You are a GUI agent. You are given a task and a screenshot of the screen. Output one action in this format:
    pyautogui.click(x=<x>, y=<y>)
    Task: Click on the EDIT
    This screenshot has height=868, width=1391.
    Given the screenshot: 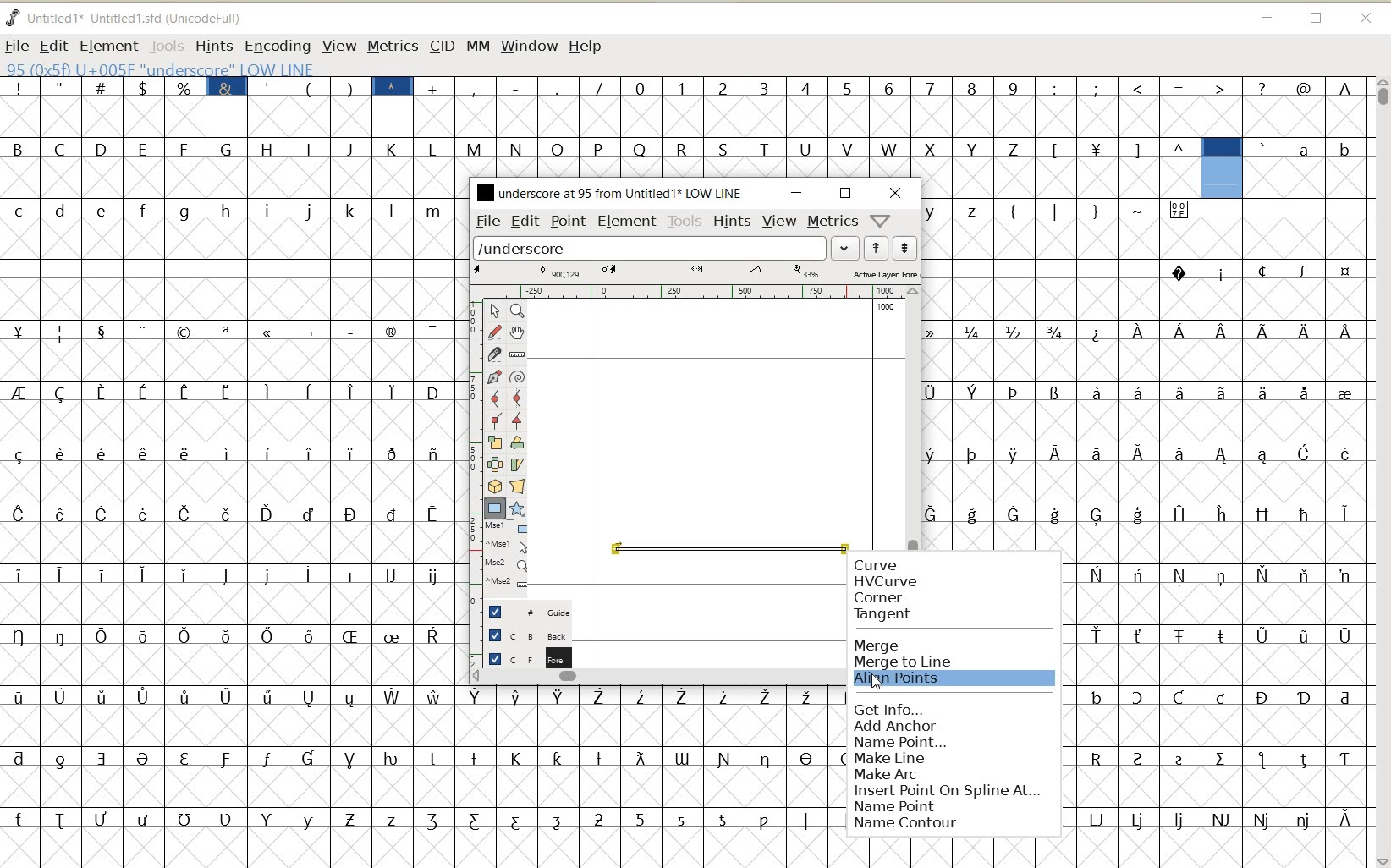 What is the action you would take?
    pyautogui.click(x=52, y=47)
    